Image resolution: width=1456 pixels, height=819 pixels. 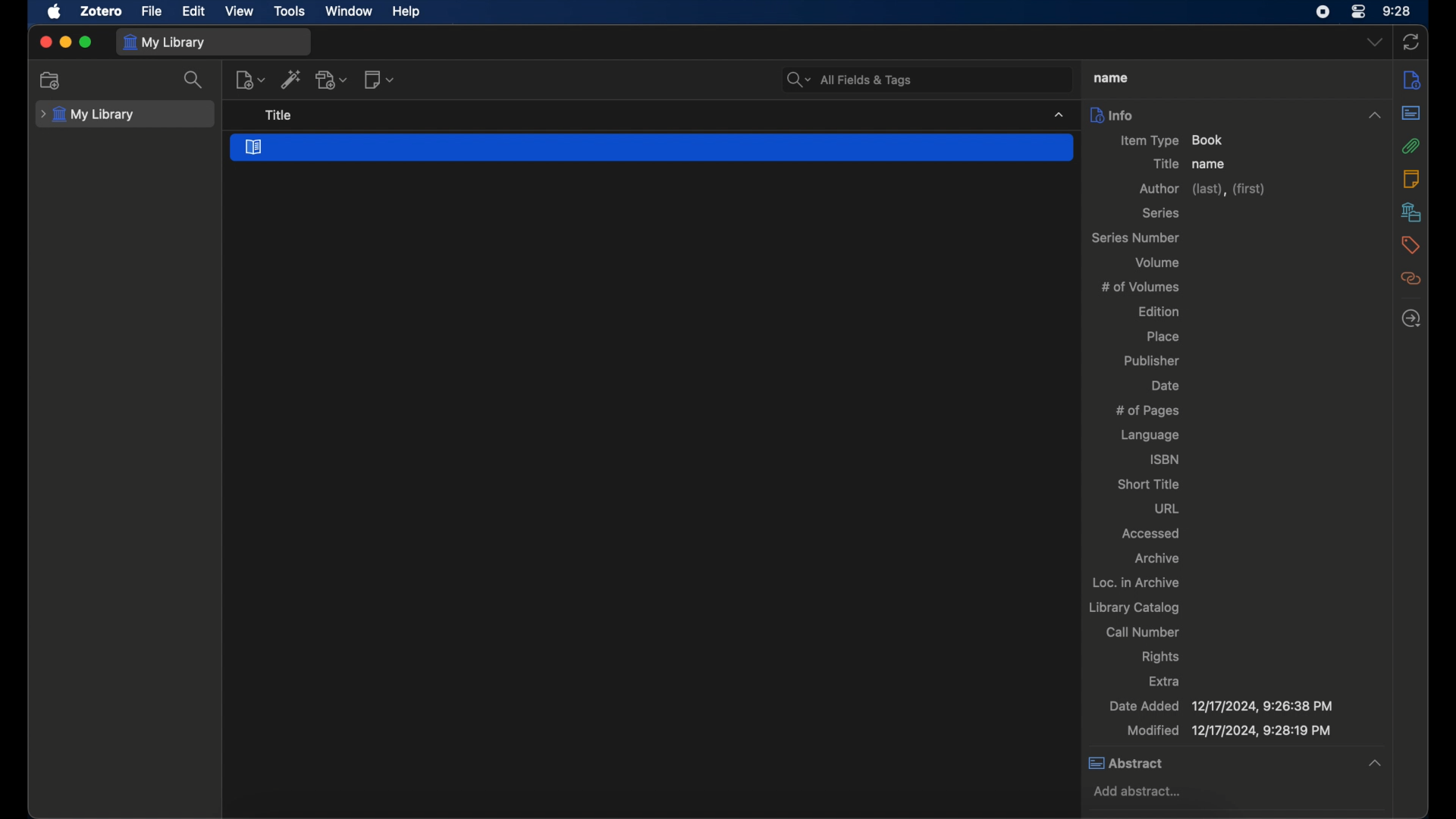 What do you see at coordinates (49, 80) in the screenshot?
I see `new collection` at bounding box center [49, 80].